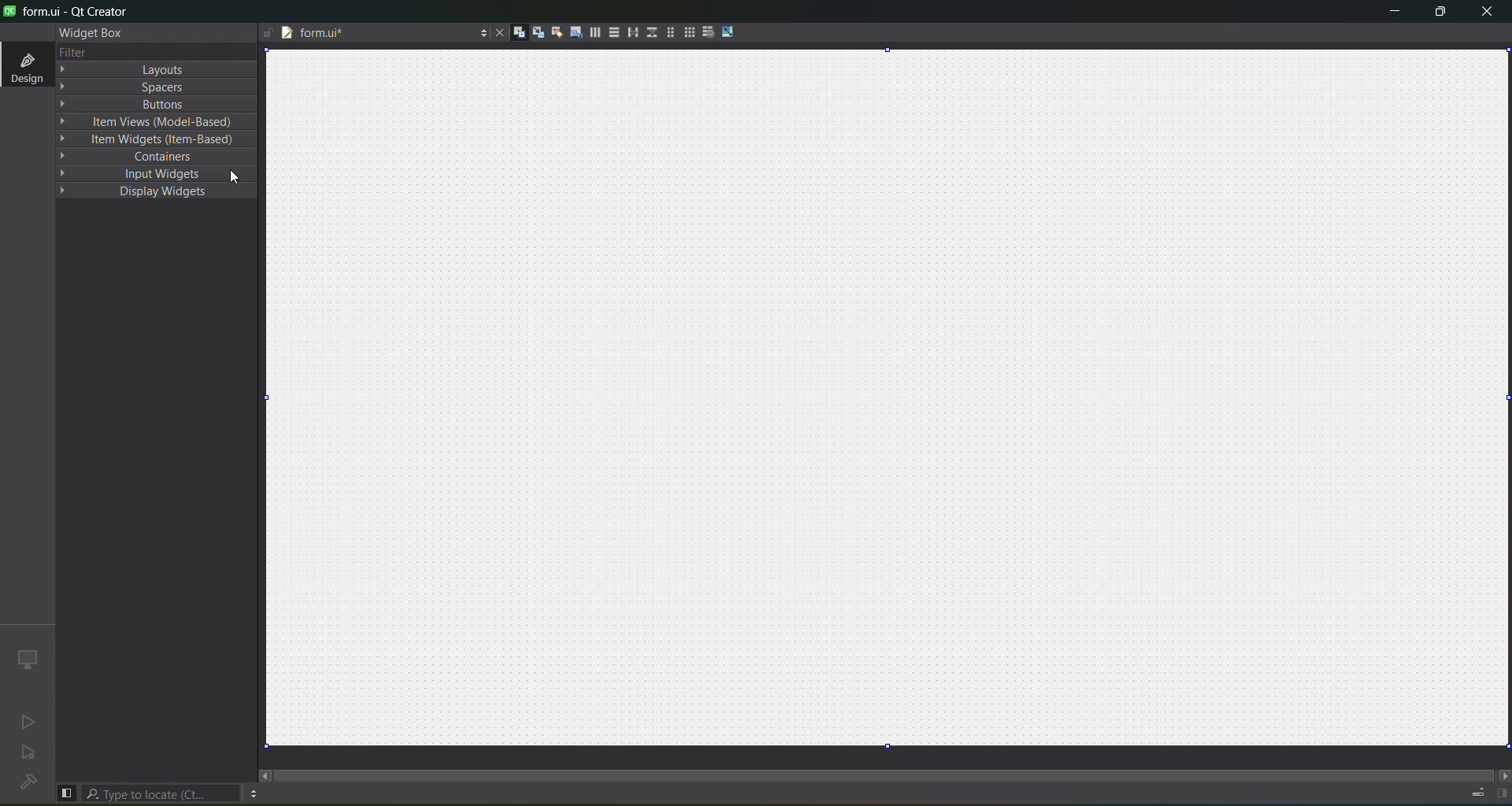 The width and height of the screenshot is (1512, 806). I want to click on horizontal splitter, so click(632, 33).